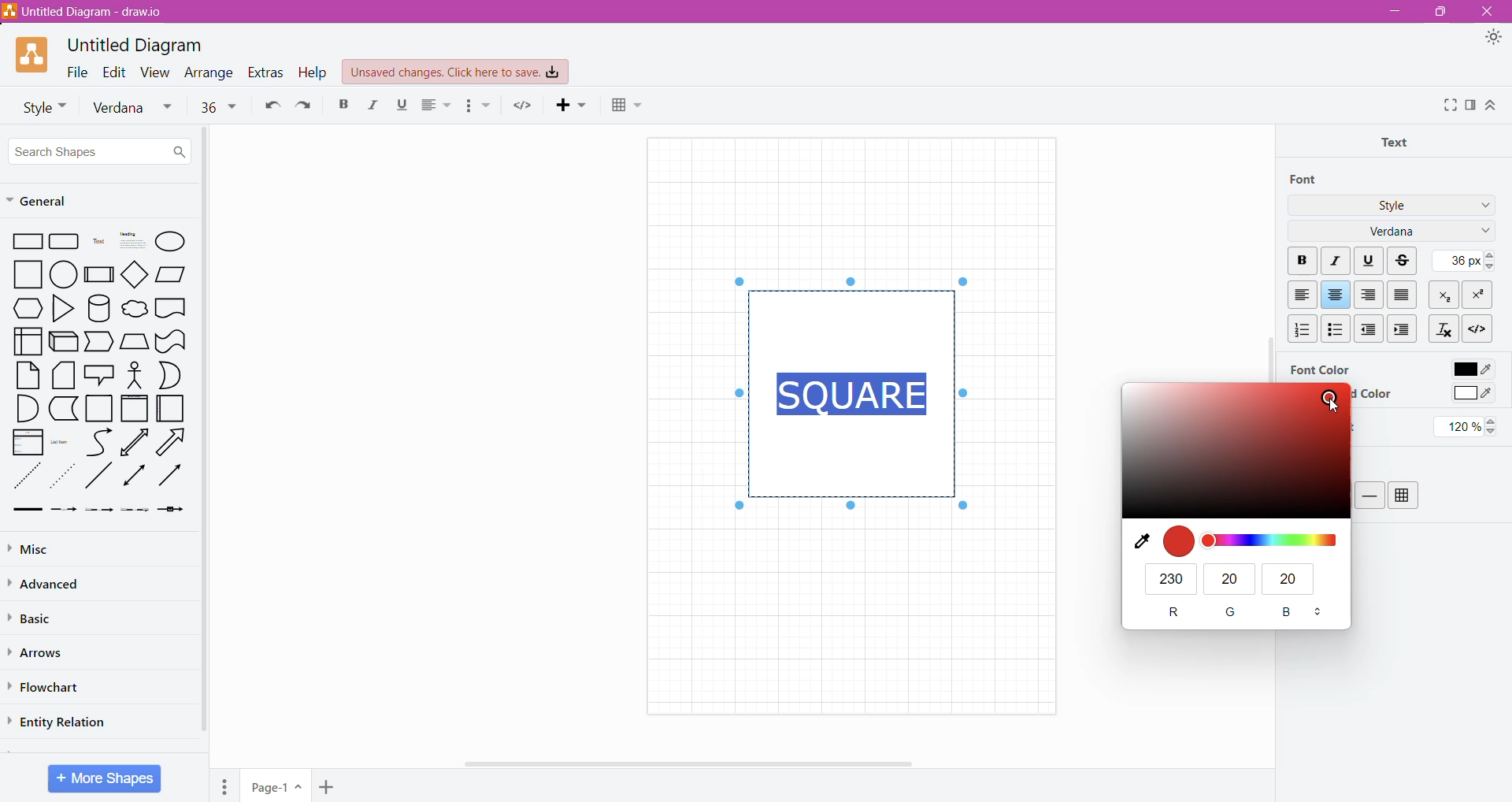 The width and height of the screenshot is (1512, 802). What do you see at coordinates (343, 103) in the screenshot?
I see `Bold` at bounding box center [343, 103].